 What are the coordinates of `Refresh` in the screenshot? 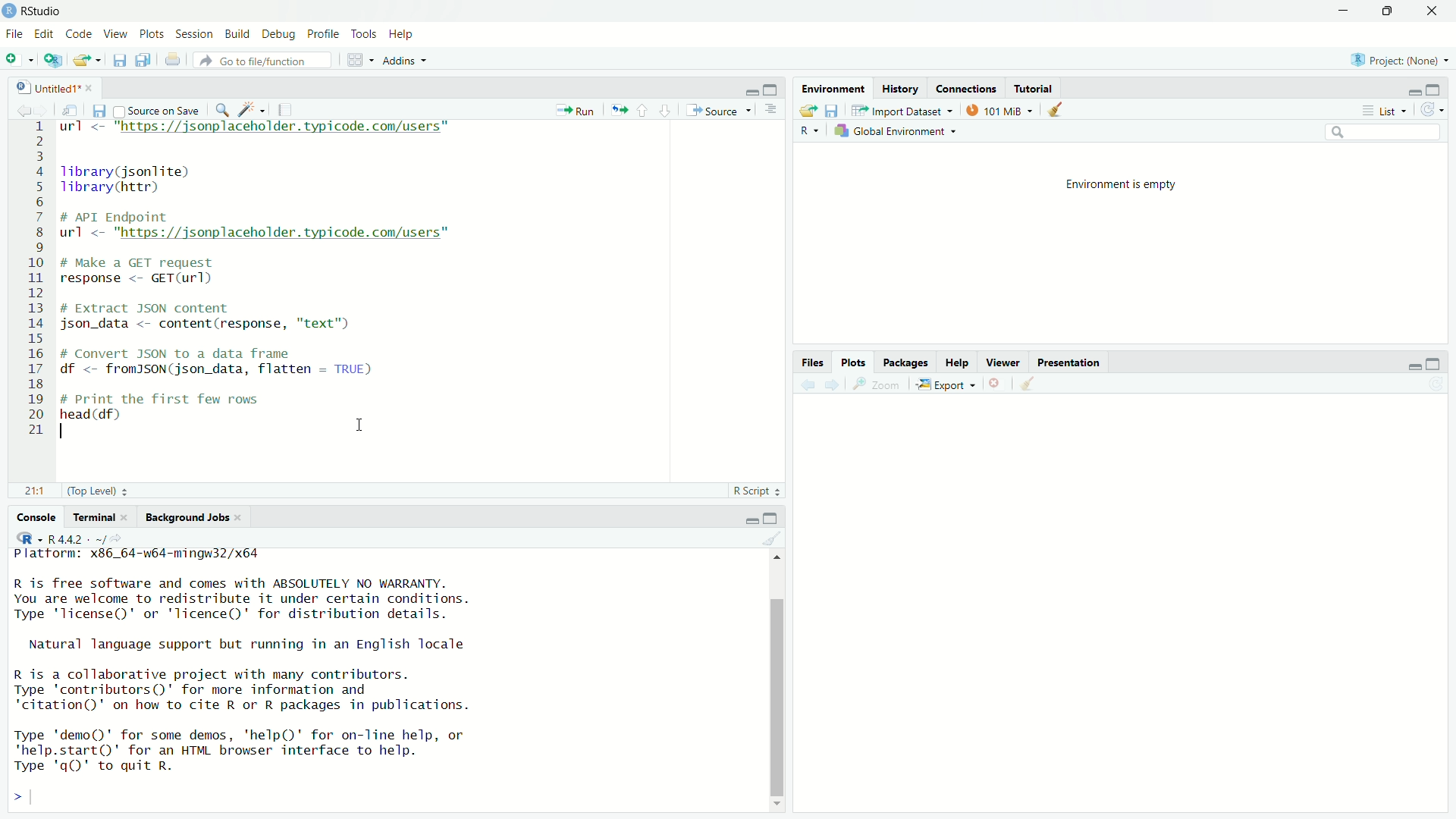 It's located at (1432, 108).